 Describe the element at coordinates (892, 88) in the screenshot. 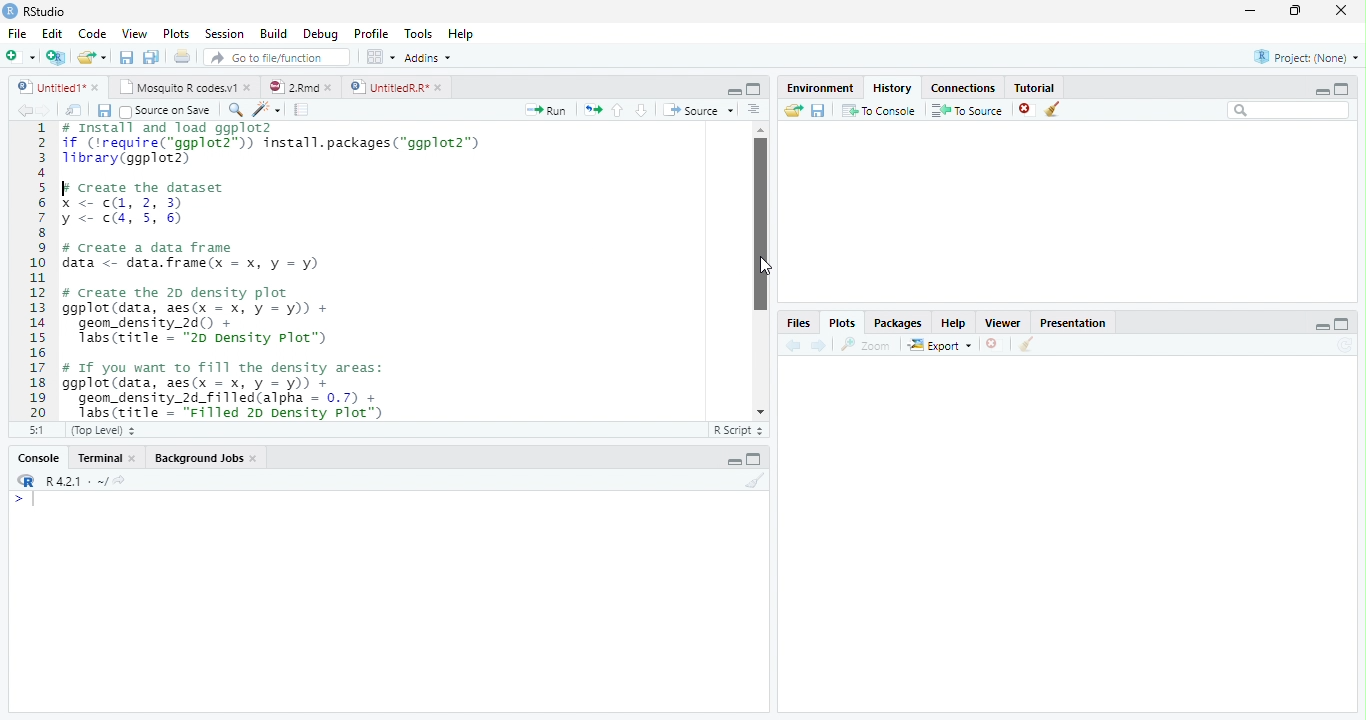

I see `History` at that location.